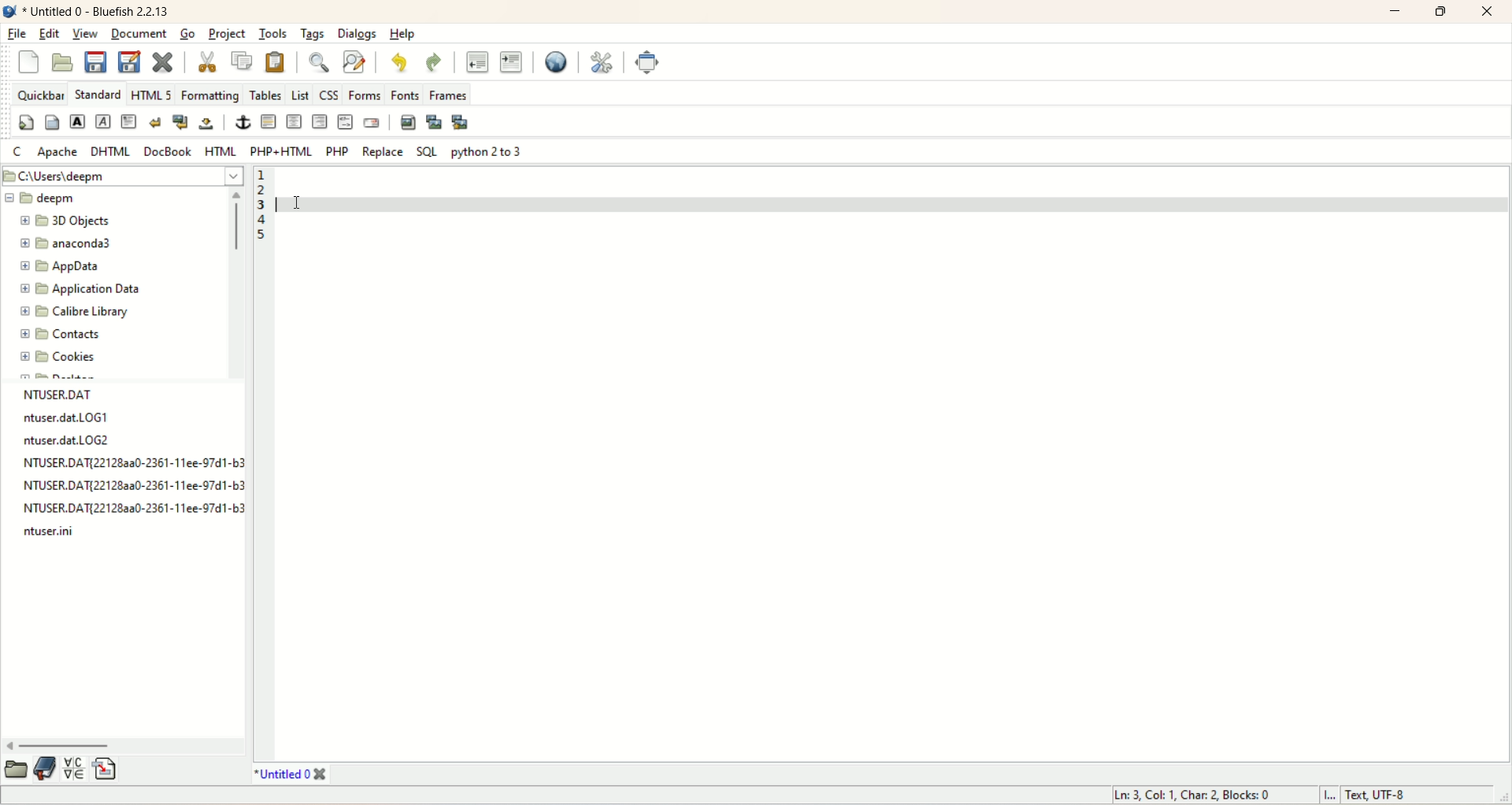 Image resolution: width=1512 pixels, height=805 pixels. I want to click on project, so click(228, 33).